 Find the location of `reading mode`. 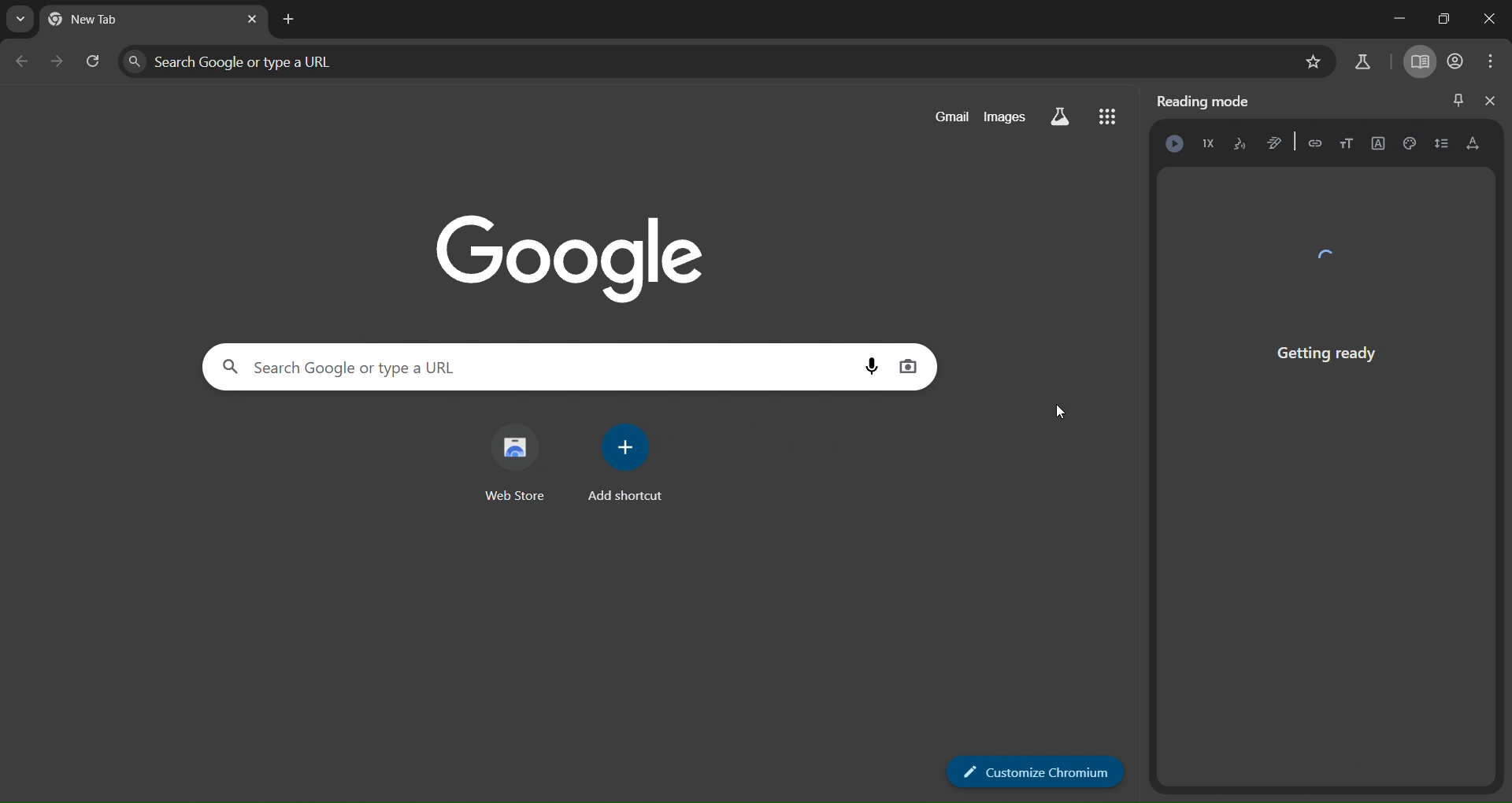

reading mode is located at coordinates (1418, 63).